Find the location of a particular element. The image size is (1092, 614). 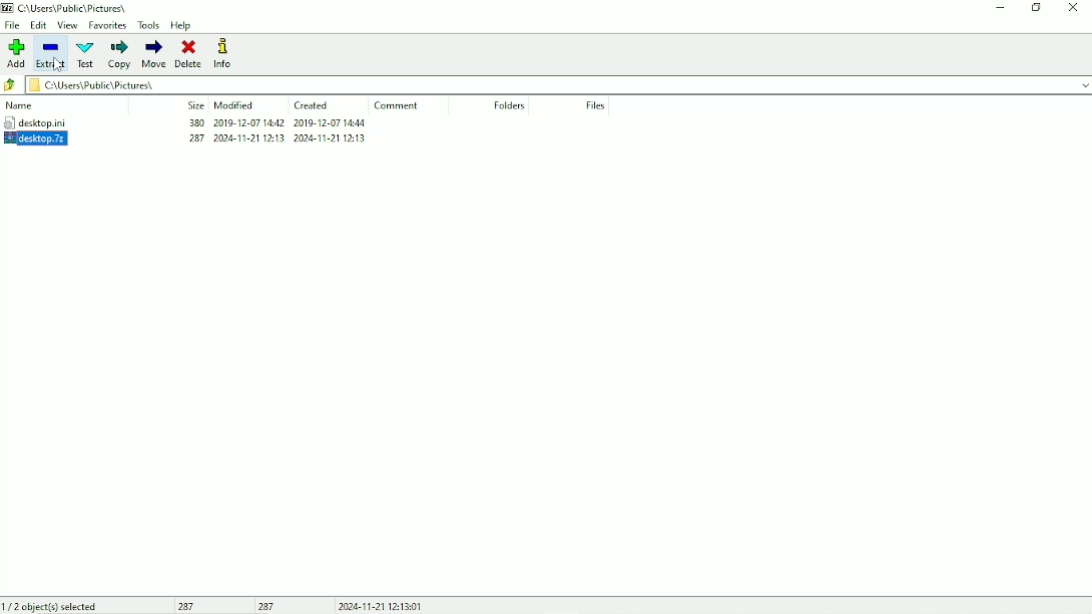

Created is located at coordinates (313, 106).